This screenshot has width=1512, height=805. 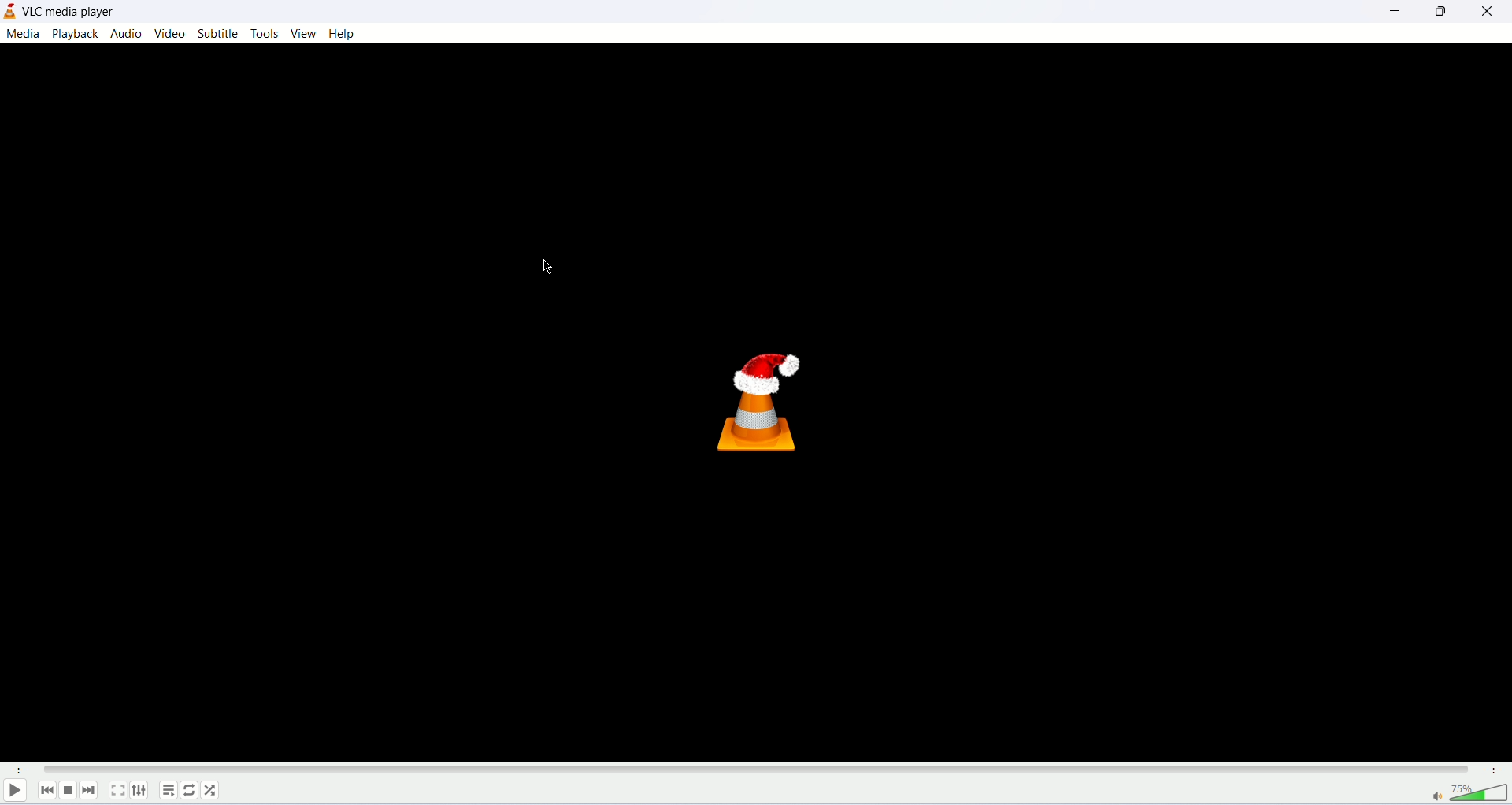 What do you see at coordinates (1469, 794) in the screenshot?
I see `volume bar` at bounding box center [1469, 794].